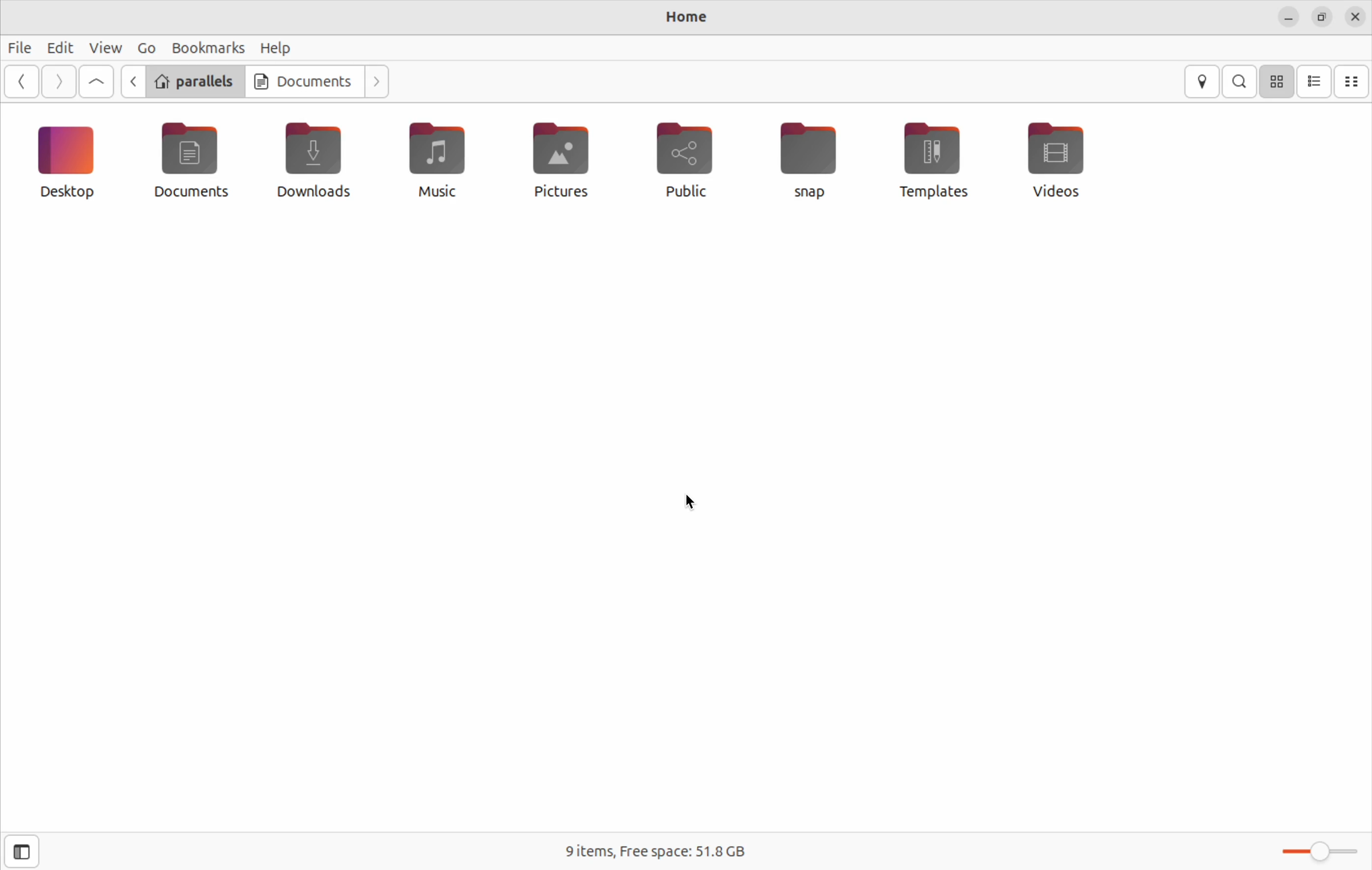 The height and width of the screenshot is (870, 1372). What do you see at coordinates (71, 165) in the screenshot?
I see `desktop` at bounding box center [71, 165].